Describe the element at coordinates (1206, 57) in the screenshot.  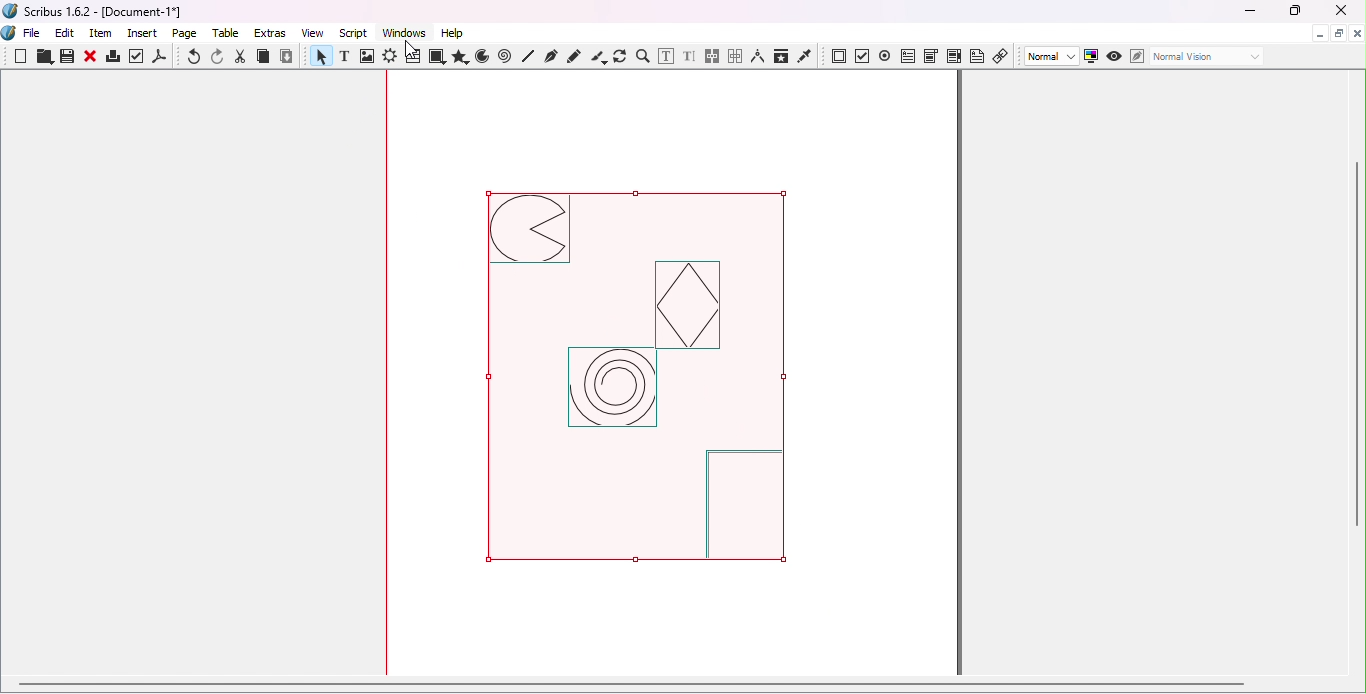
I see `Select the visual appearance of the display` at that location.